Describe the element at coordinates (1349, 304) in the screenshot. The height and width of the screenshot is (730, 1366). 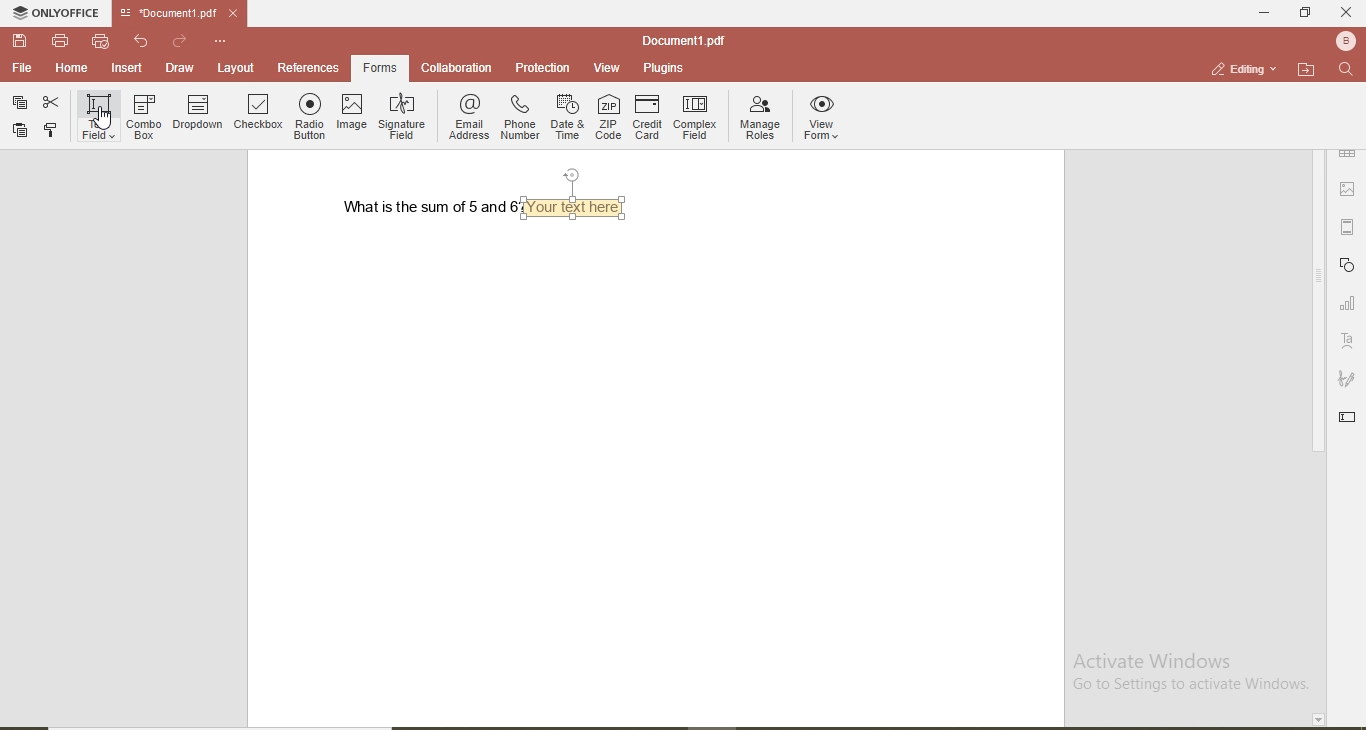
I see `chart` at that location.